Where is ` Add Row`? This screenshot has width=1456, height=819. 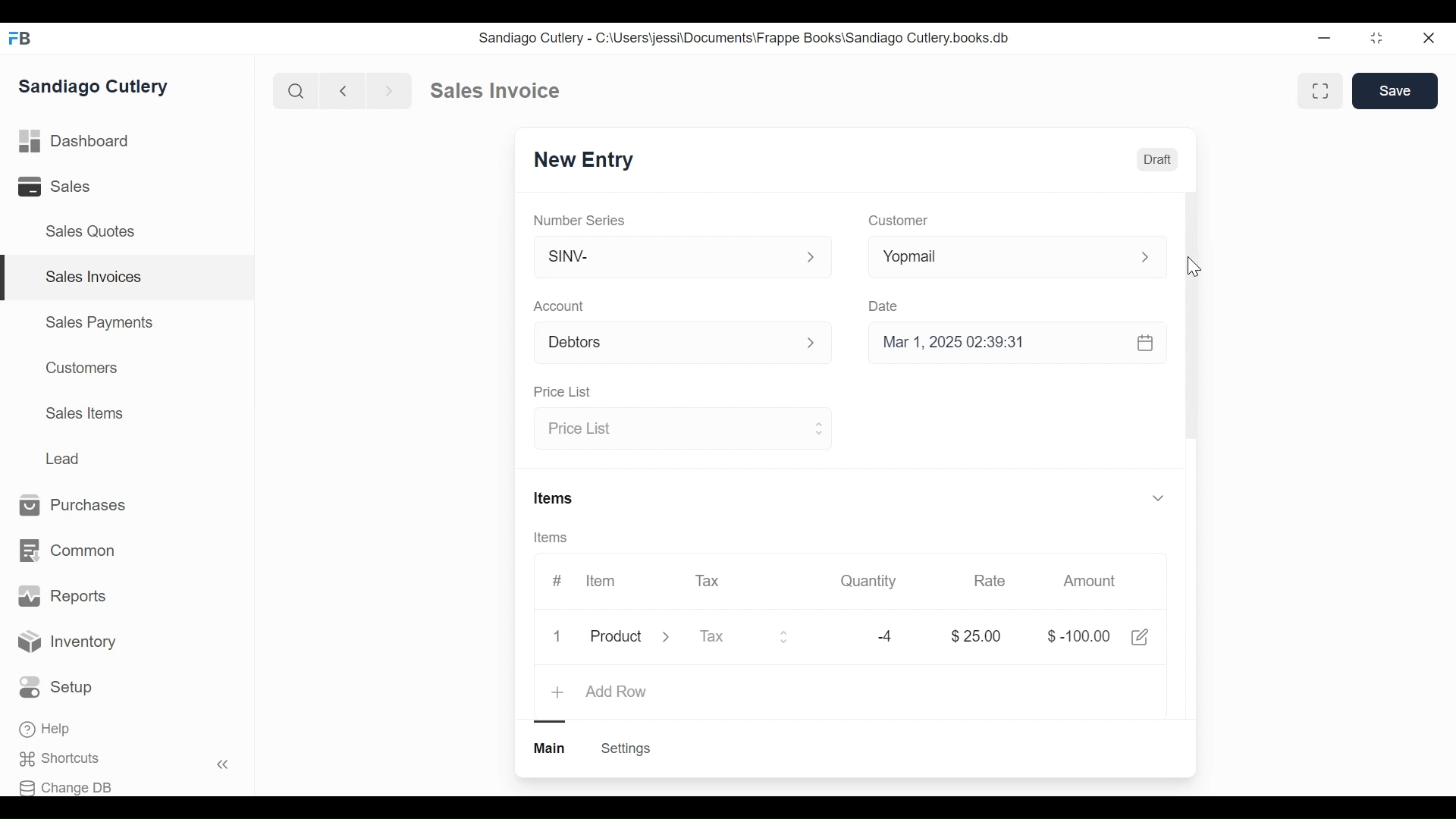
 Add Row is located at coordinates (600, 692).